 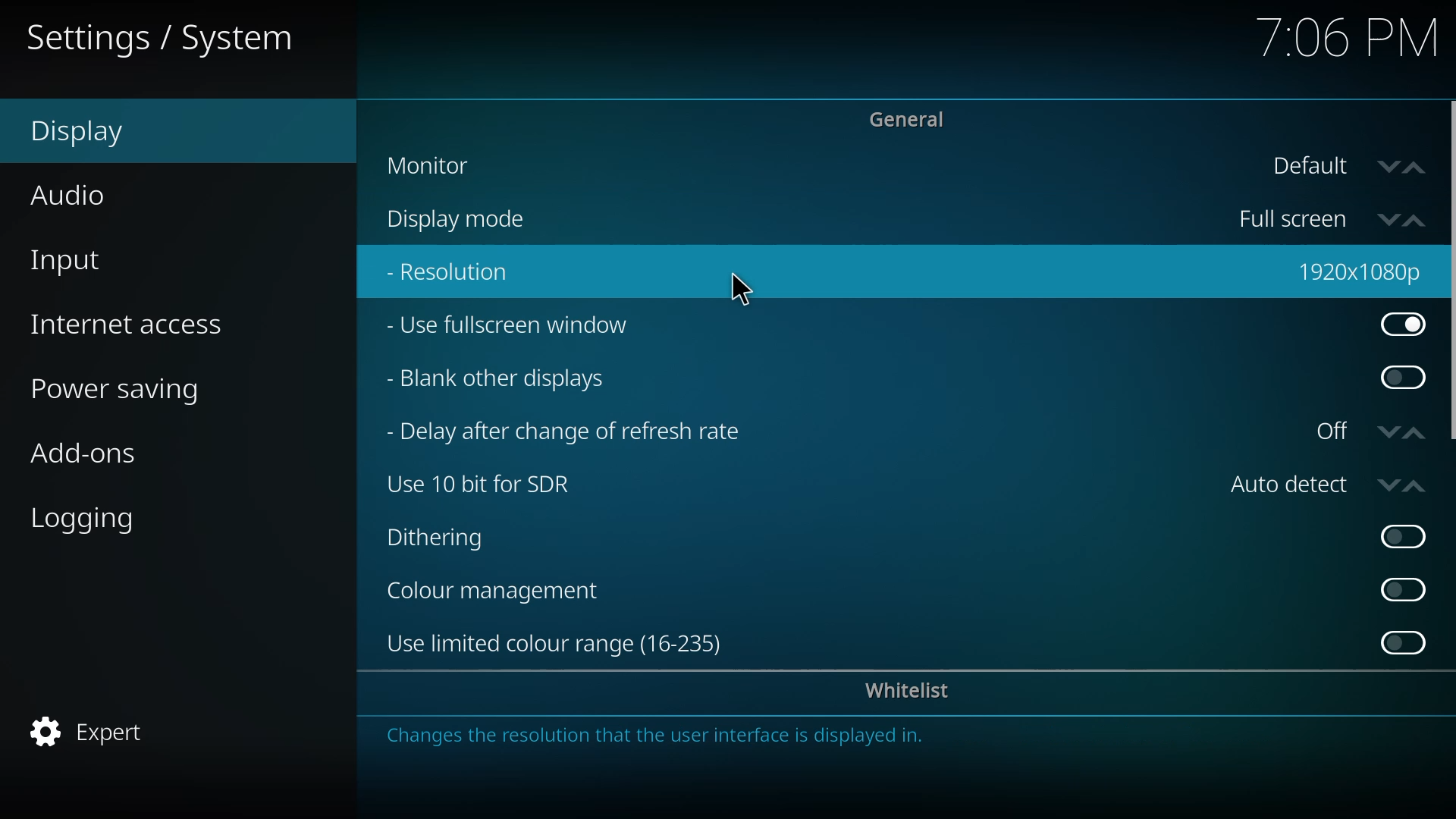 What do you see at coordinates (82, 196) in the screenshot?
I see `audio` at bounding box center [82, 196].